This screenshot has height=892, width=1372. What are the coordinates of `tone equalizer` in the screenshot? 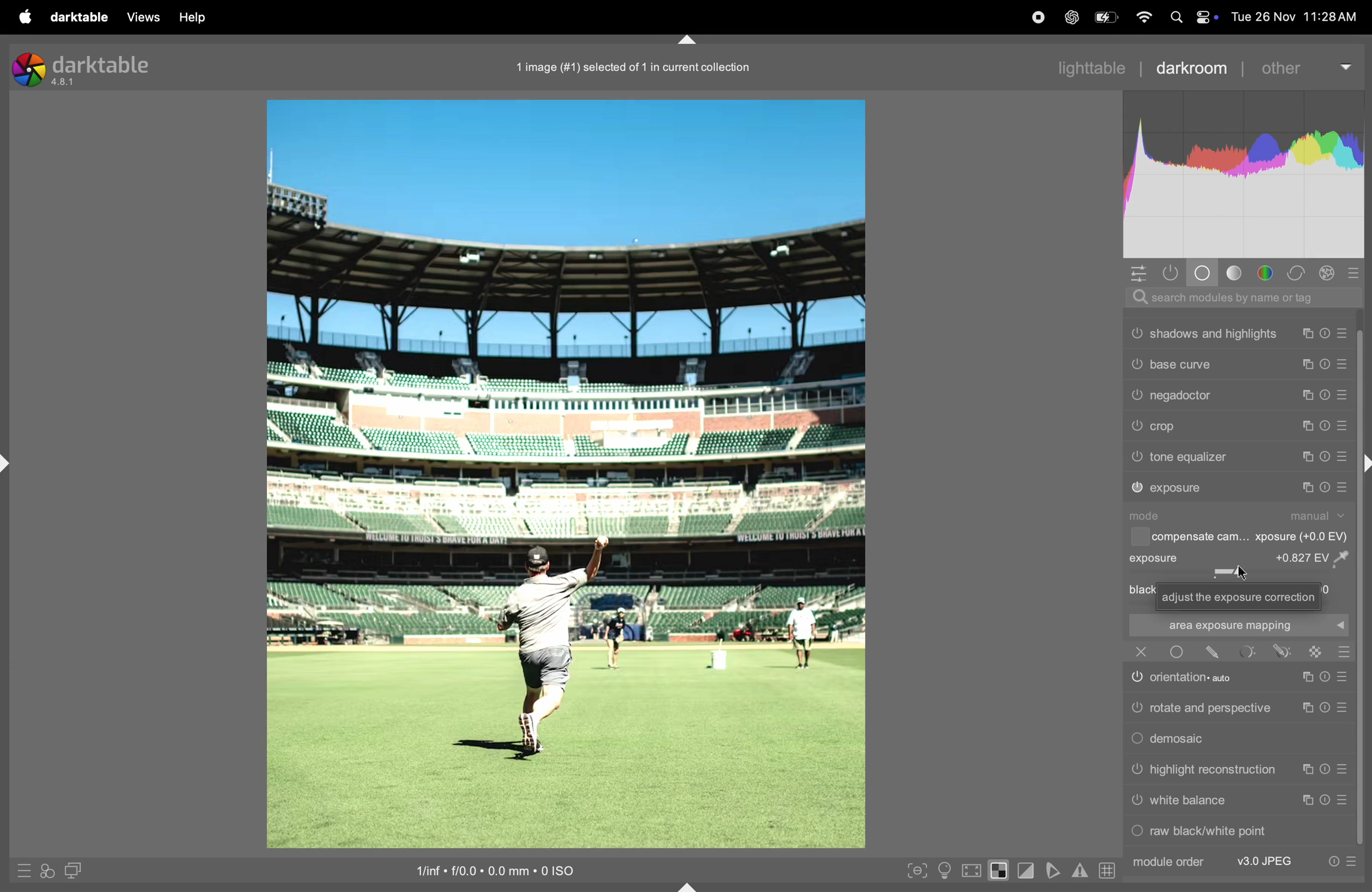 It's located at (1190, 457).